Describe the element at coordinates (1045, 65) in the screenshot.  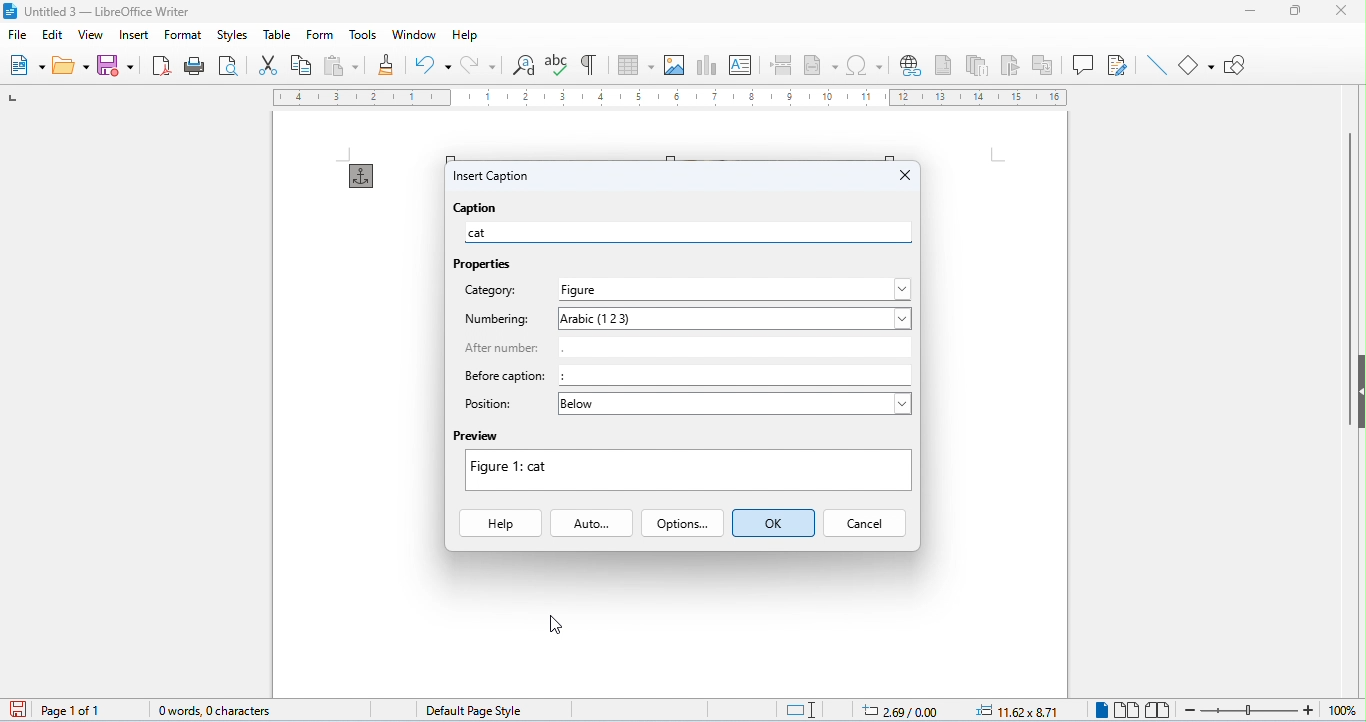
I see `insert cross reference` at that location.